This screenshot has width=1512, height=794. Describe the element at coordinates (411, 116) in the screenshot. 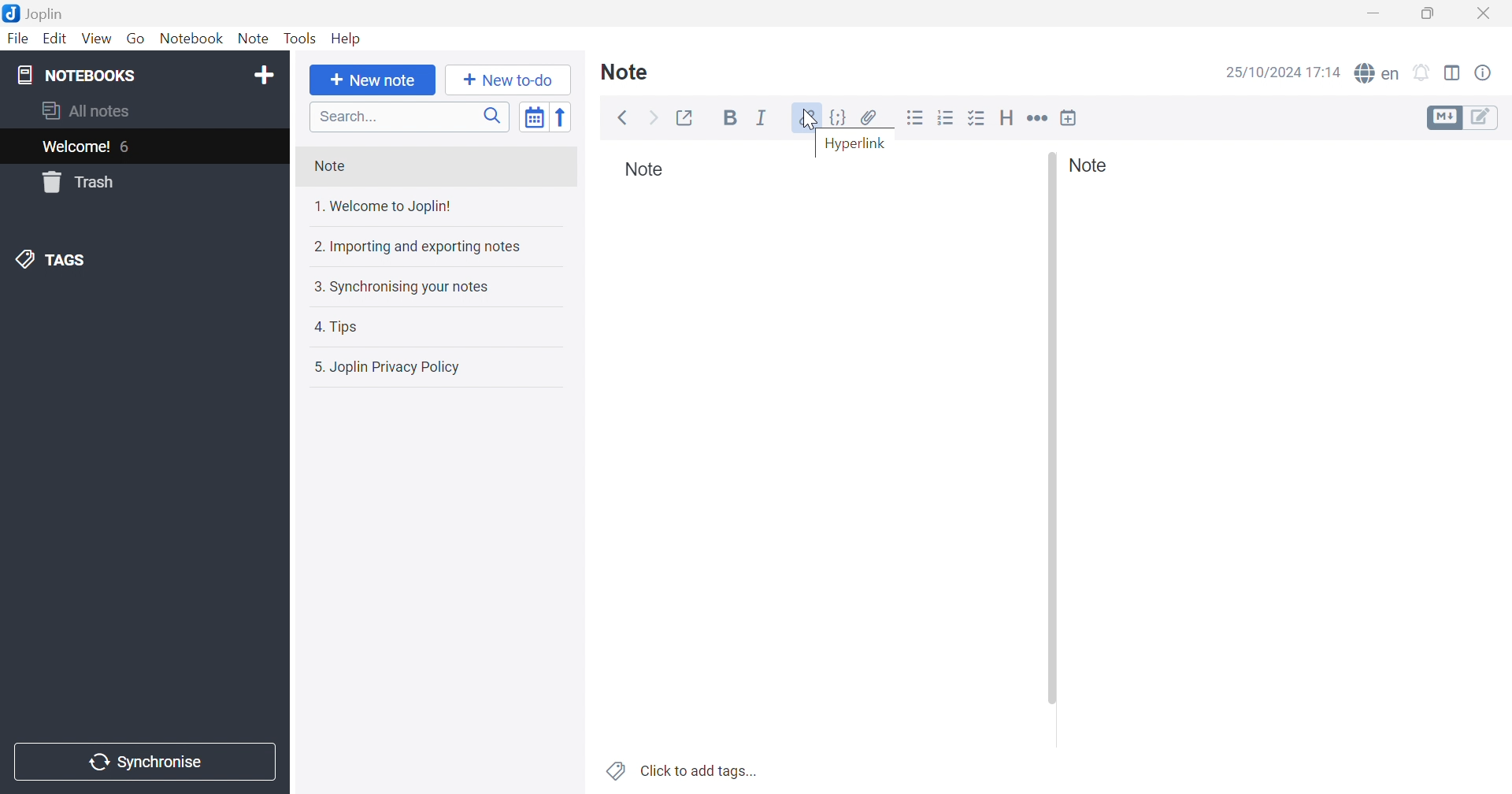

I see `Search bar` at that location.